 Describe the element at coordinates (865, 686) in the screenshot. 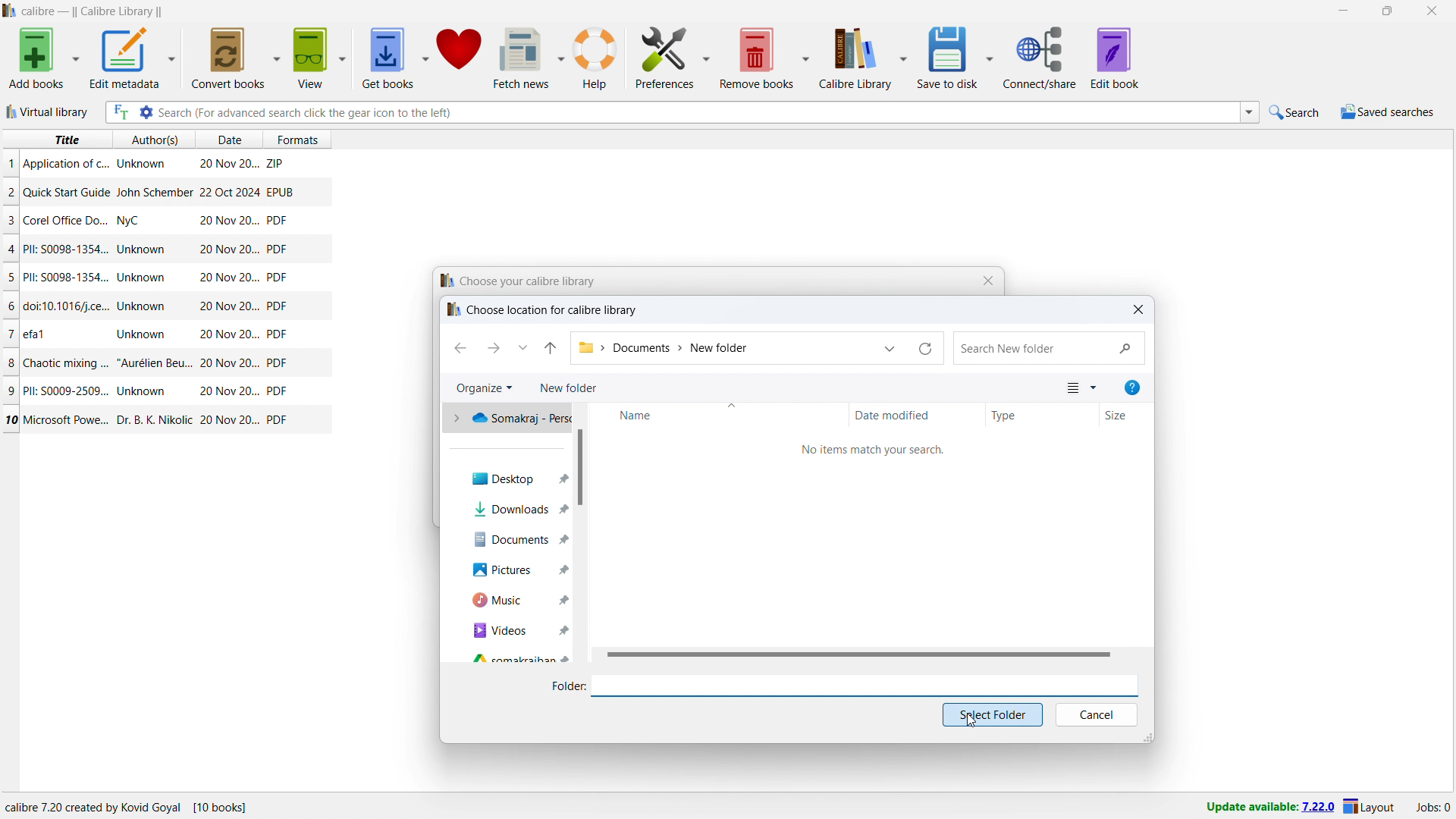

I see `enter name` at that location.